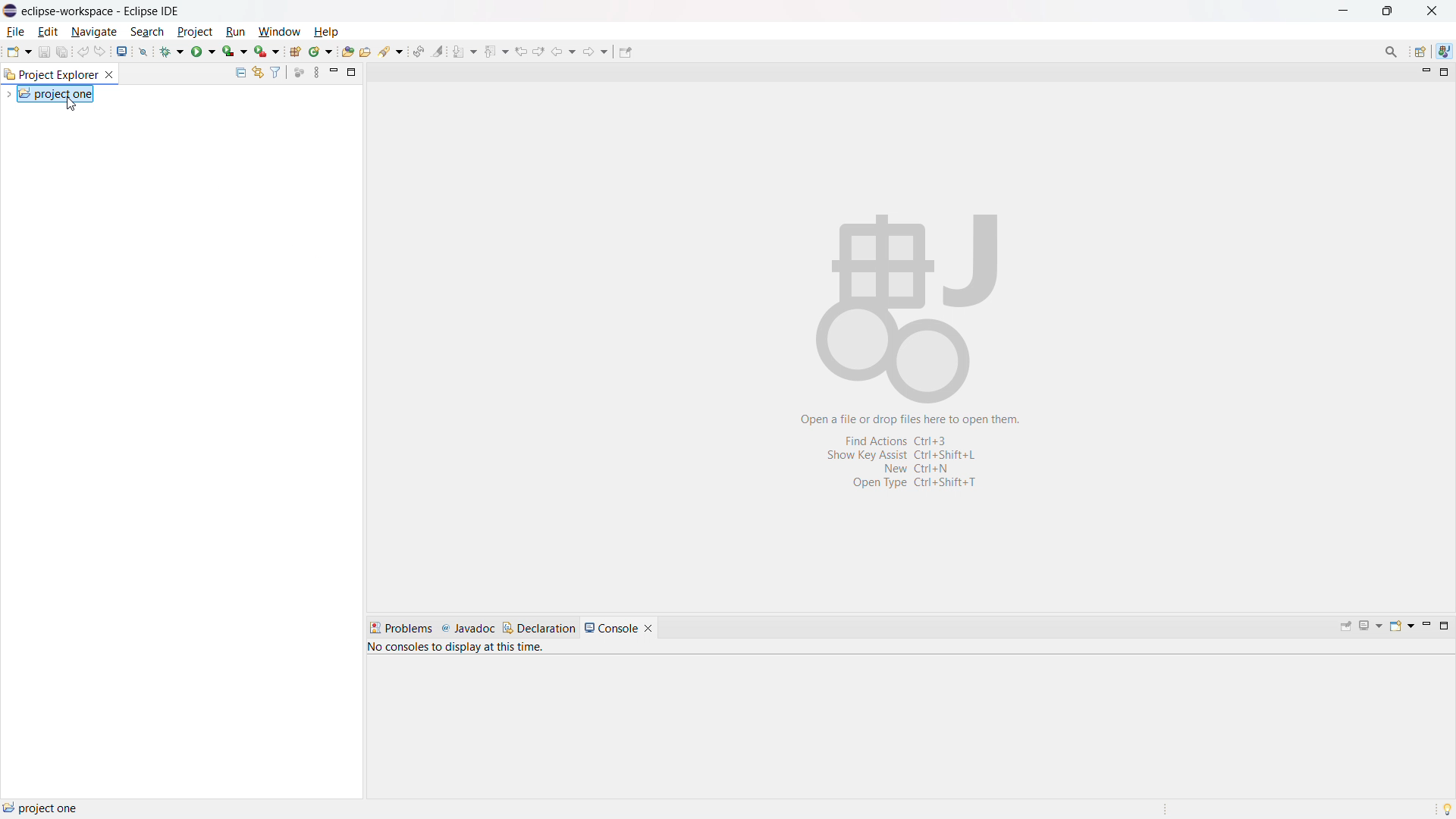 This screenshot has height=819, width=1456. Describe the element at coordinates (42, 808) in the screenshot. I see `project one` at that location.